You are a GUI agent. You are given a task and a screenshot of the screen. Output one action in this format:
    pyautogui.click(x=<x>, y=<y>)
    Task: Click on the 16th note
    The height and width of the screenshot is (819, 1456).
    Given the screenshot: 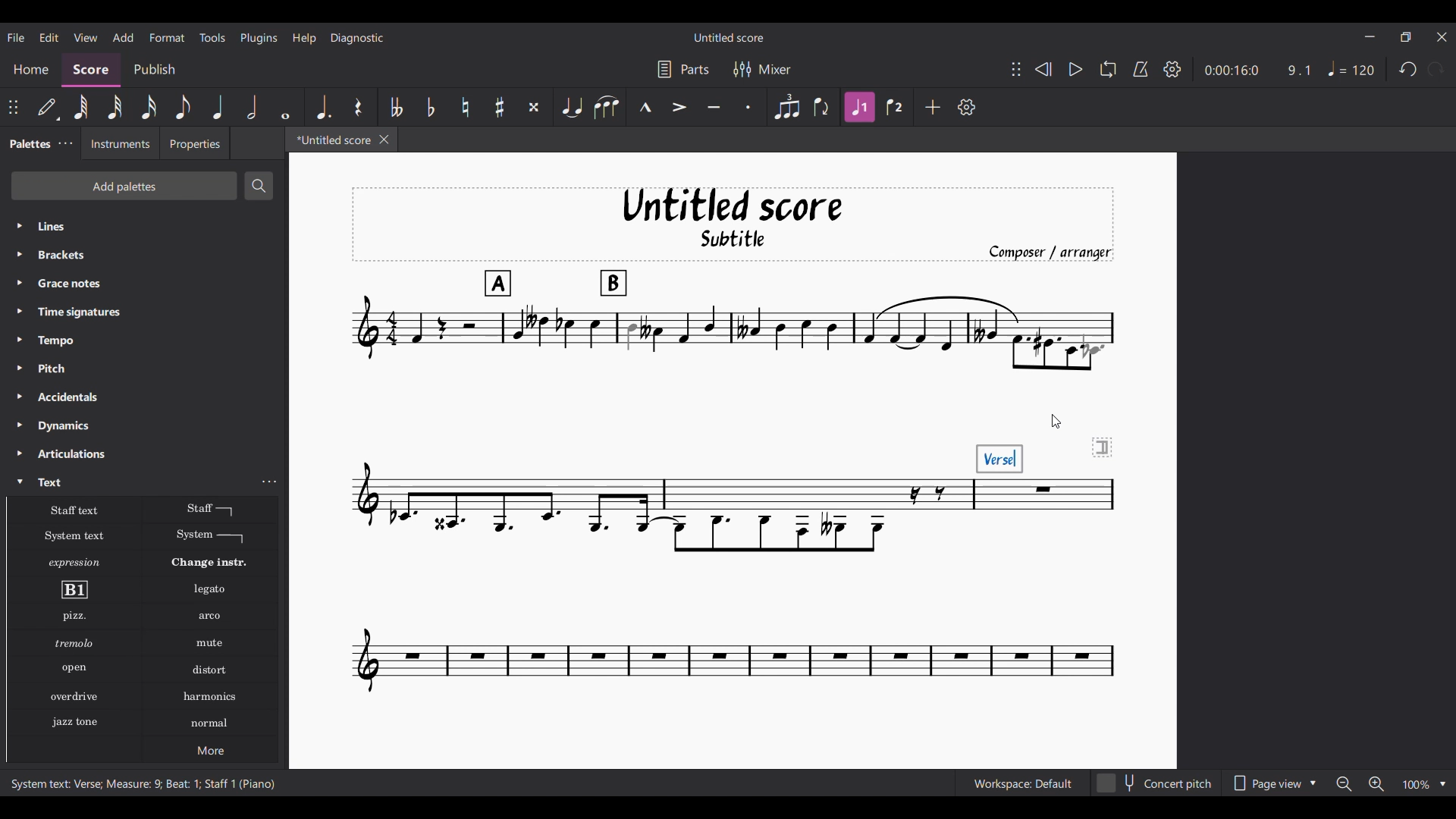 What is the action you would take?
    pyautogui.click(x=149, y=107)
    